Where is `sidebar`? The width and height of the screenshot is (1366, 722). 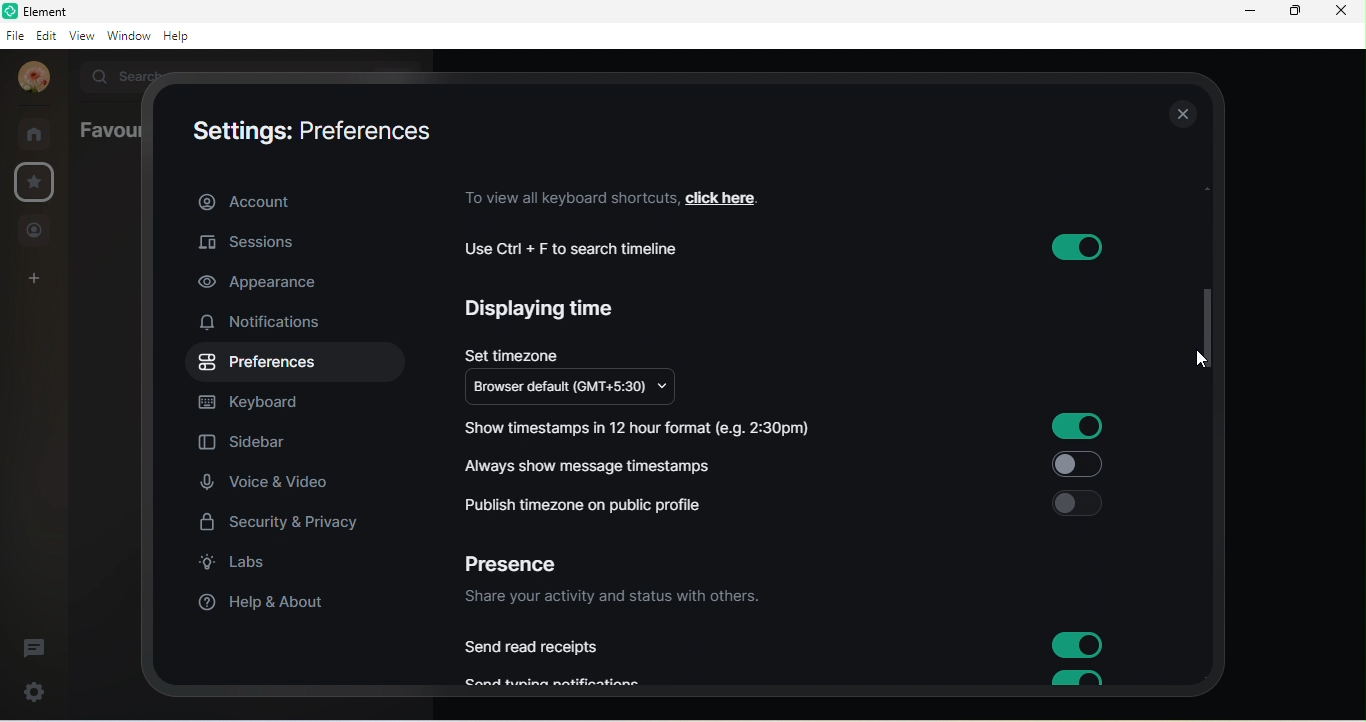 sidebar is located at coordinates (245, 445).